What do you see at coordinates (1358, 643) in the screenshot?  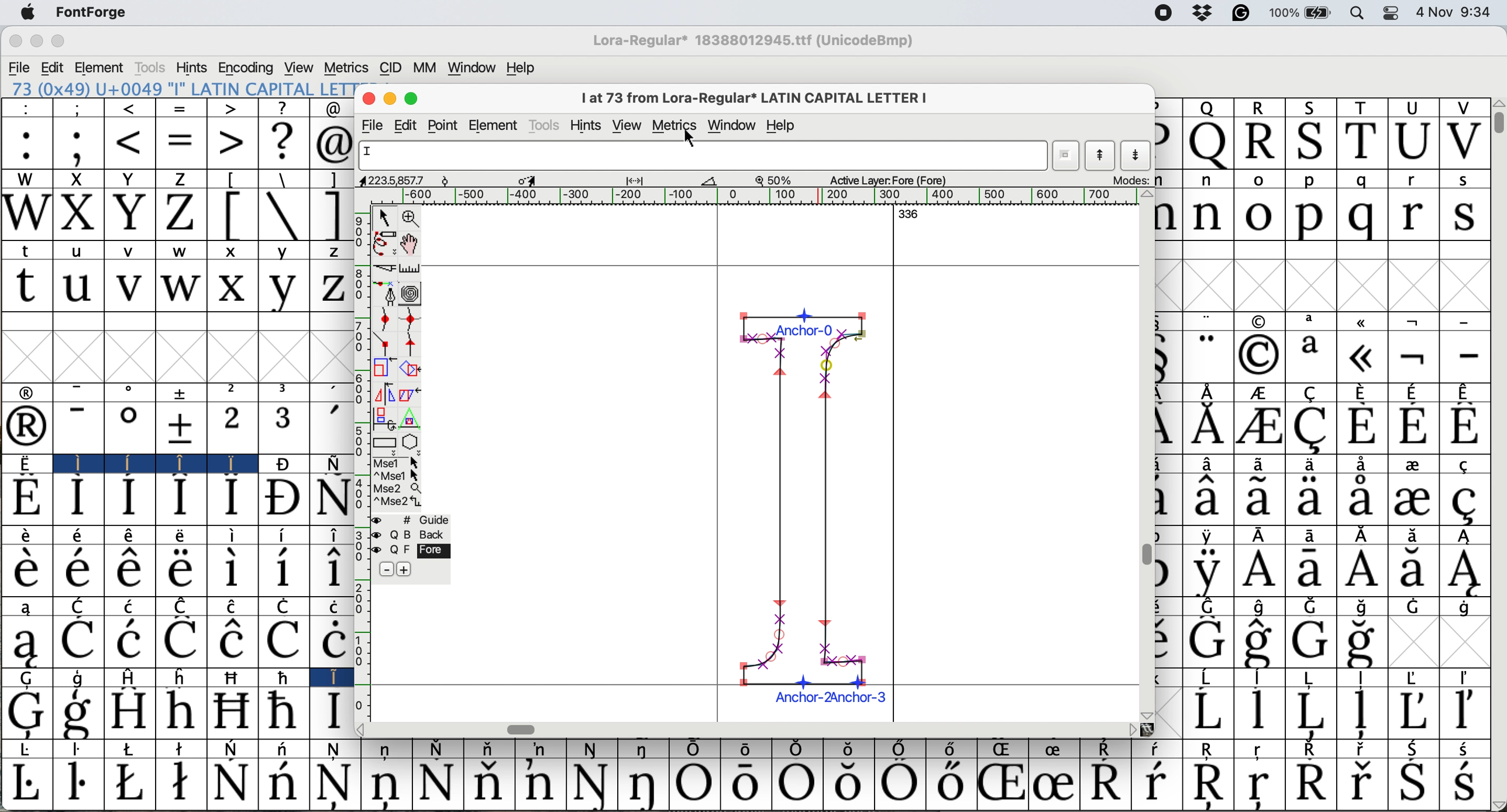 I see `Symbol` at bounding box center [1358, 643].